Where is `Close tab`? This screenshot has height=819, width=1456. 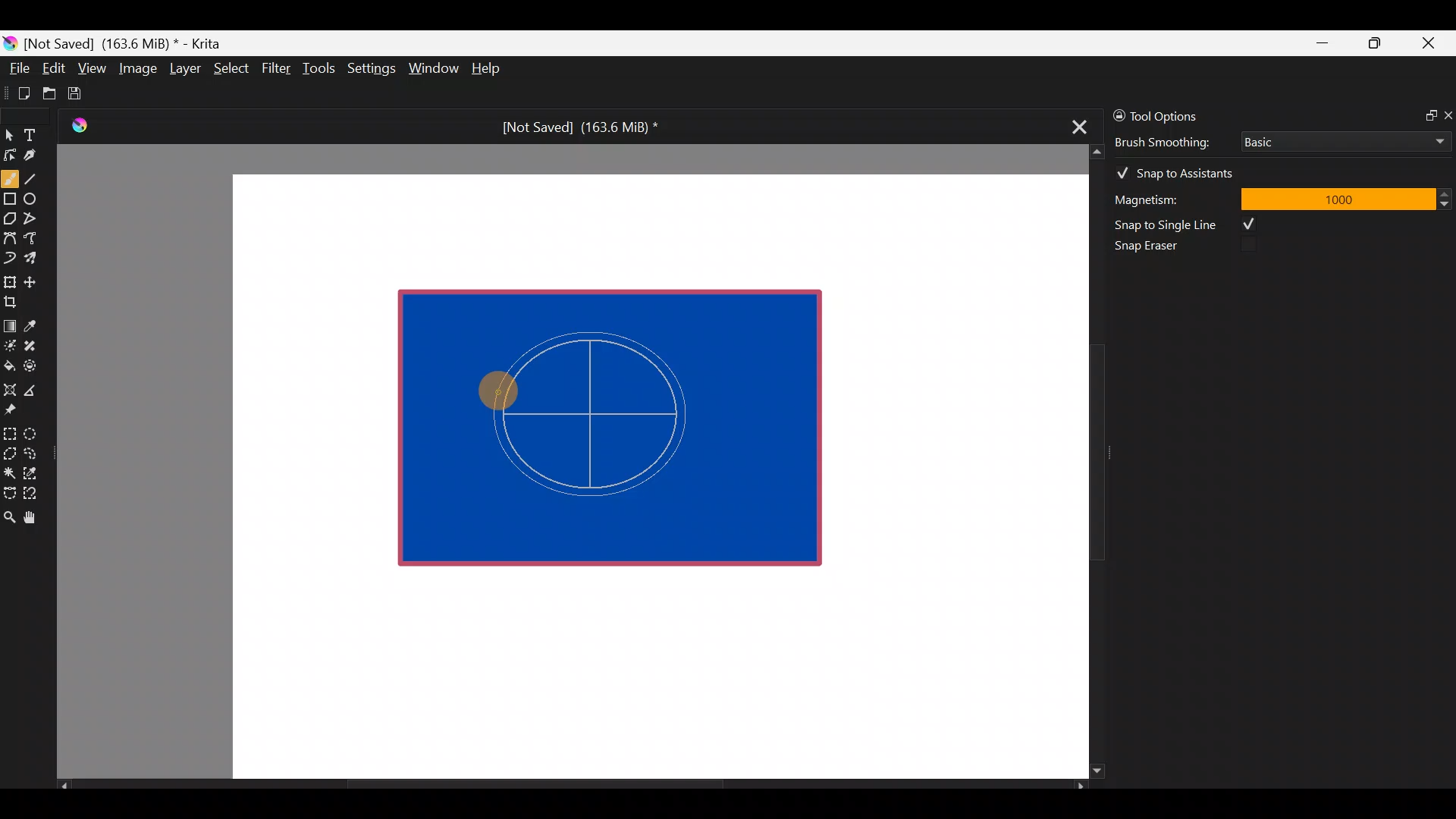
Close tab is located at coordinates (1075, 124).